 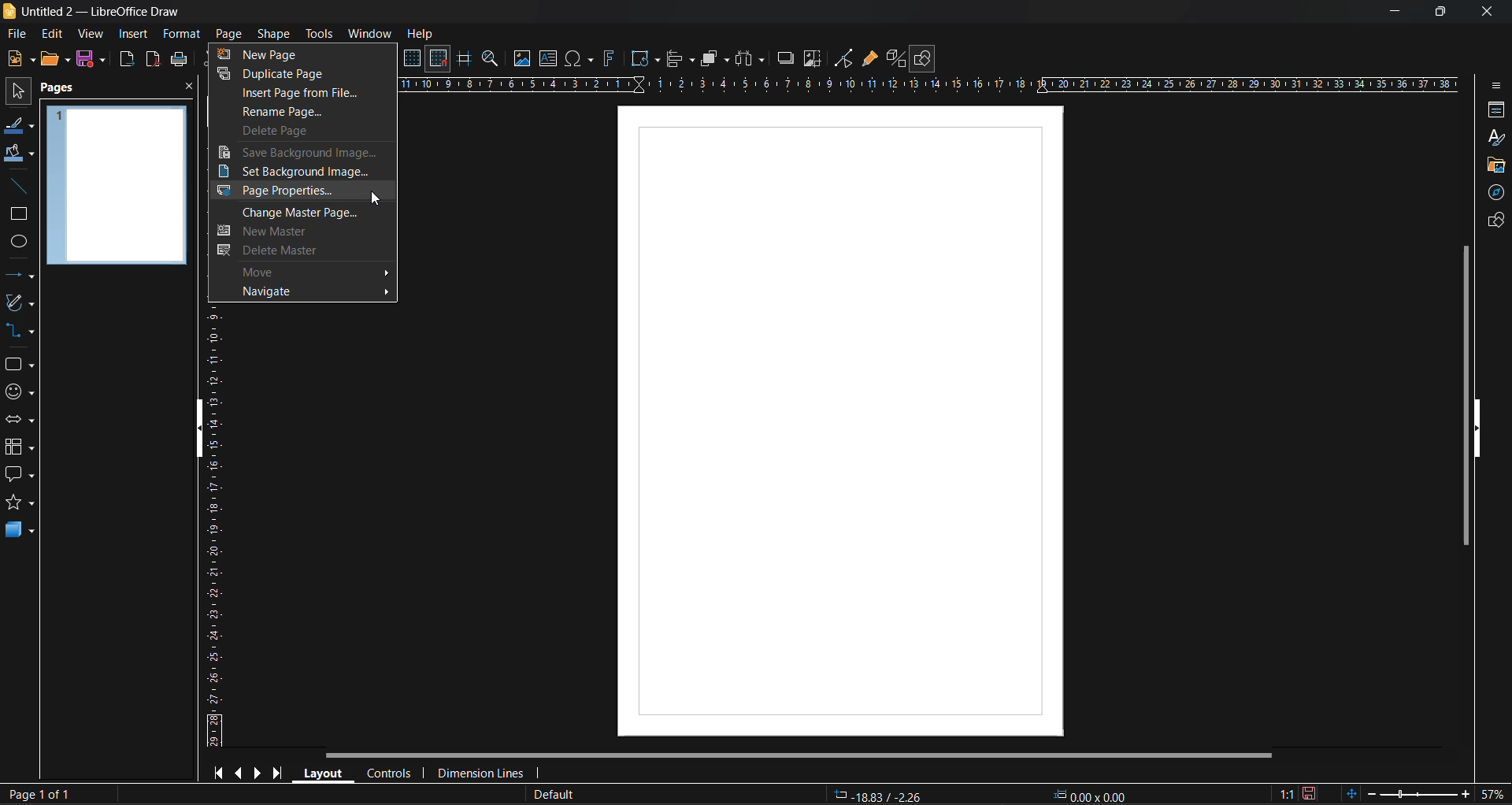 I want to click on sidebar settings, so click(x=1499, y=86).